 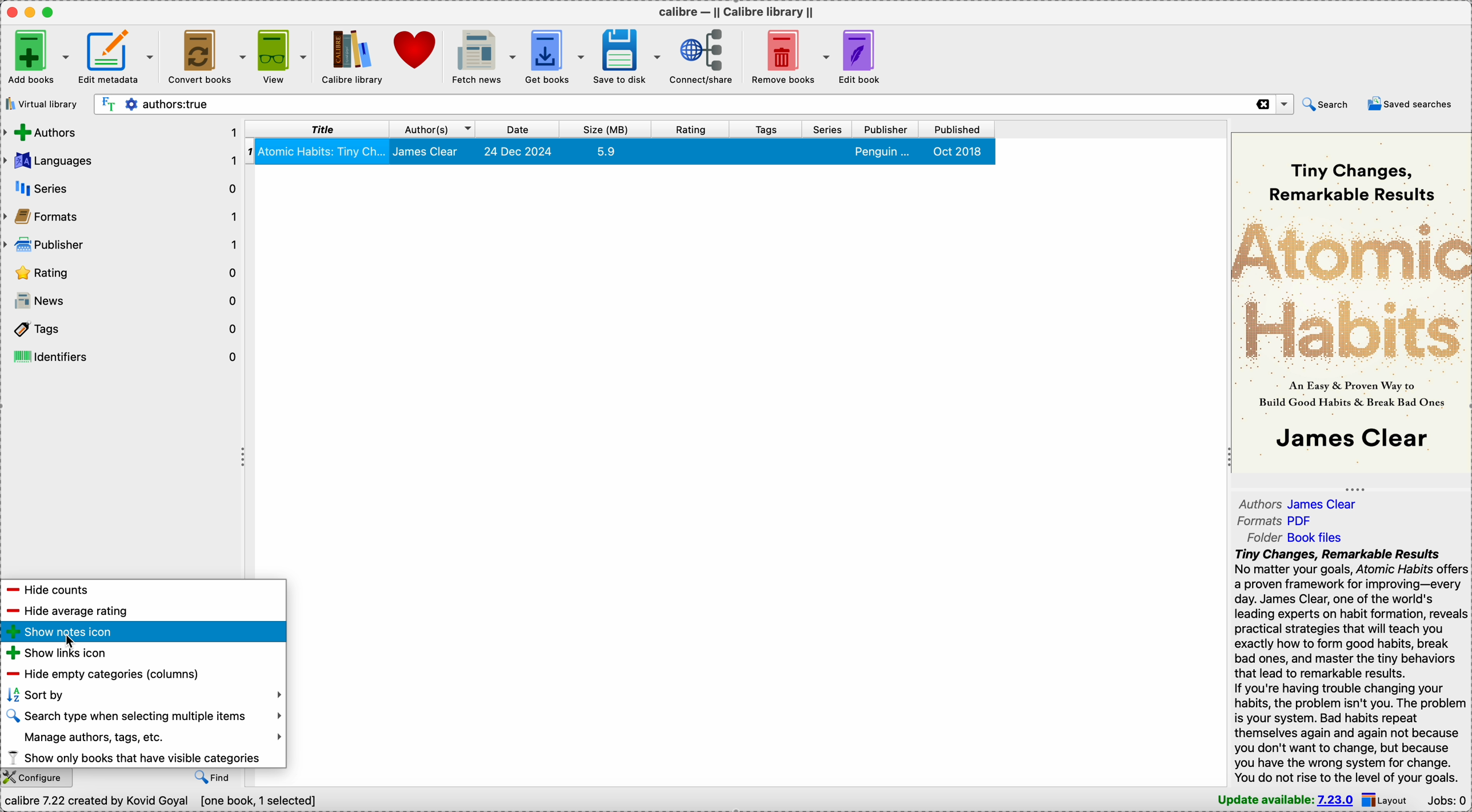 I want to click on rating, so click(x=122, y=273).